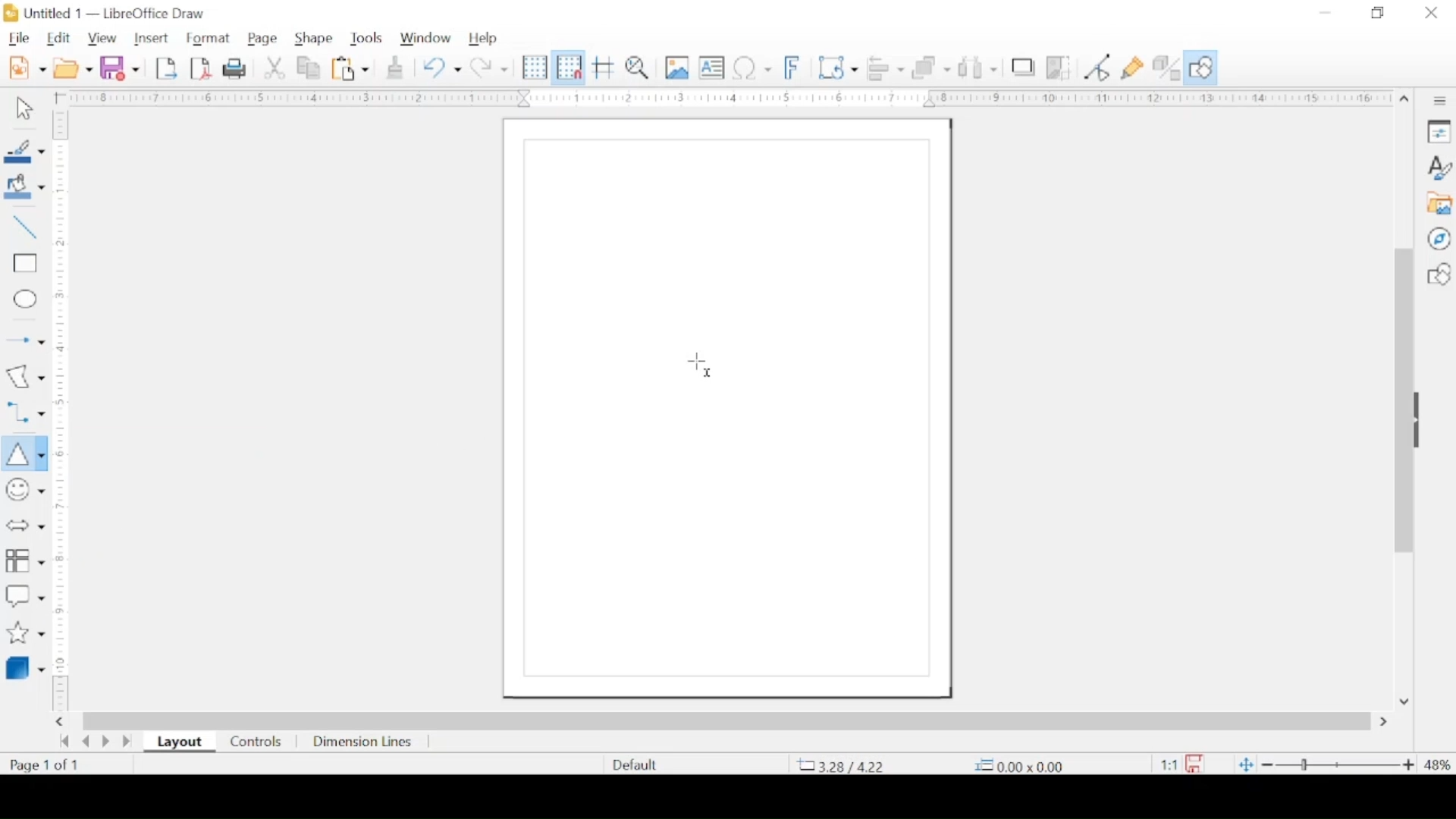 Image resolution: width=1456 pixels, height=819 pixels. What do you see at coordinates (491, 67) in the screenshot?
I see `redo` at bounding box center [491, 67].